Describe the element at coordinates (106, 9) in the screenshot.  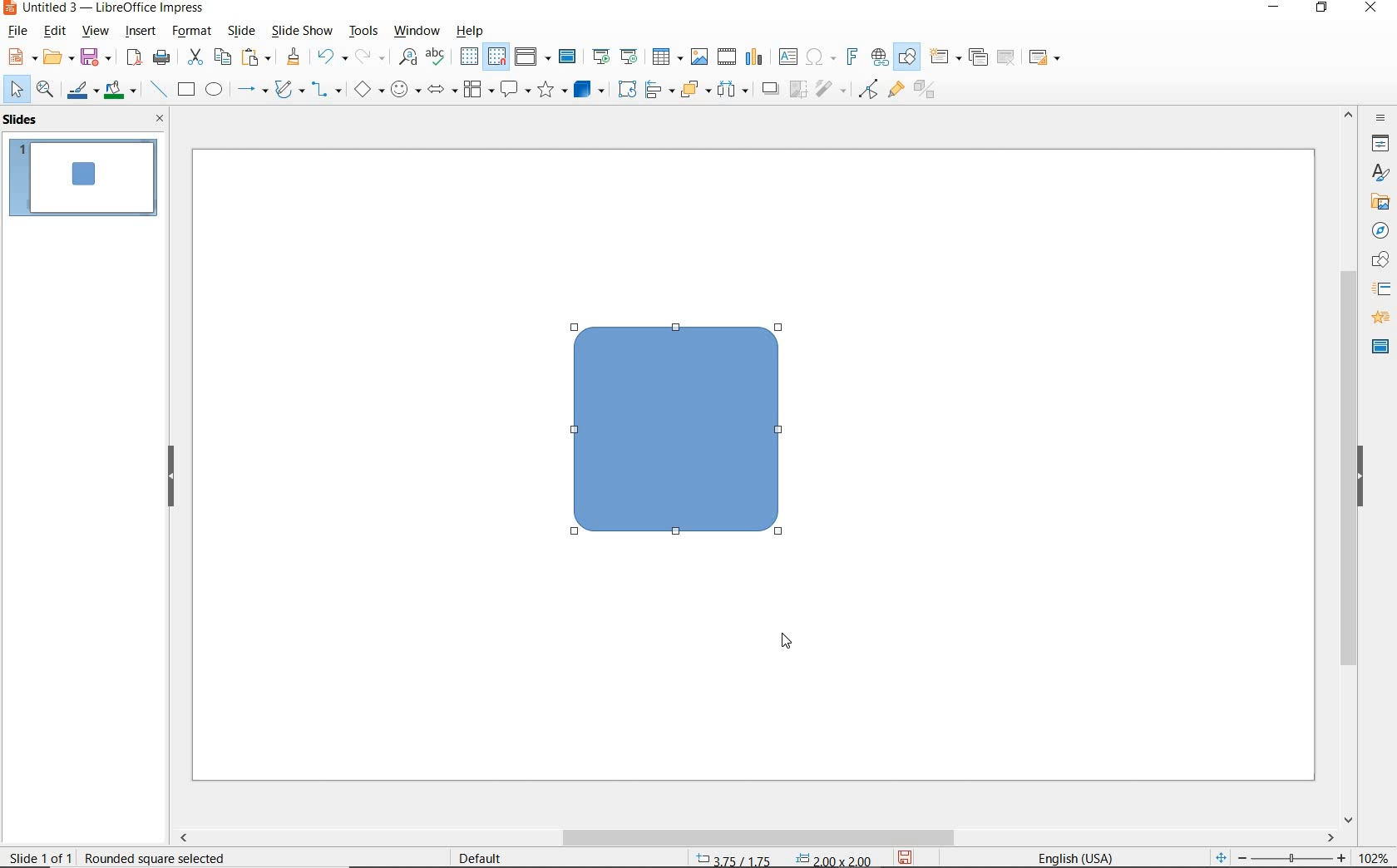
I see `file name` at that location.